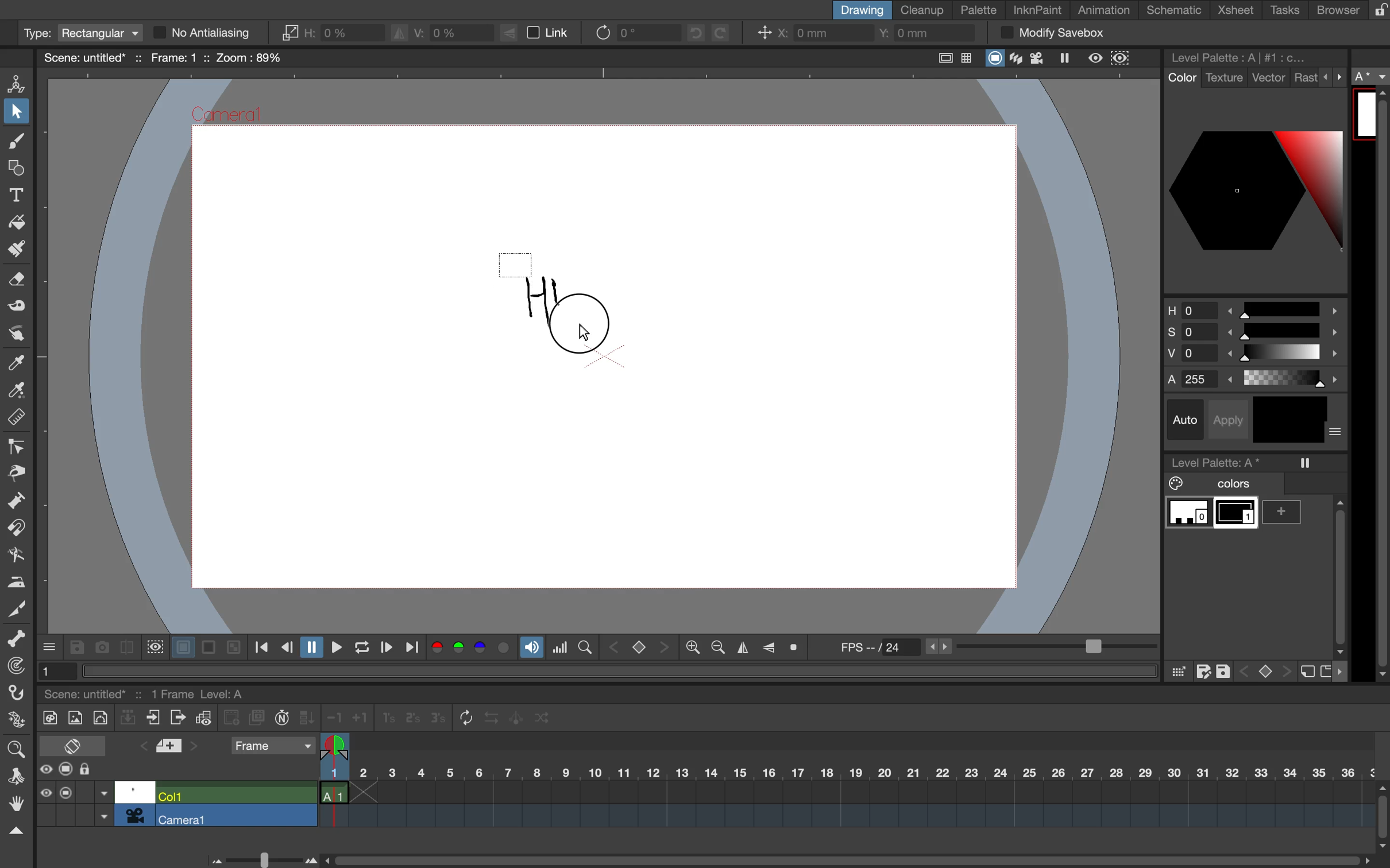  What do you see at coordinates (1225, 669) in the screenshot?
I see `save` at bounding box center [1225, 669].